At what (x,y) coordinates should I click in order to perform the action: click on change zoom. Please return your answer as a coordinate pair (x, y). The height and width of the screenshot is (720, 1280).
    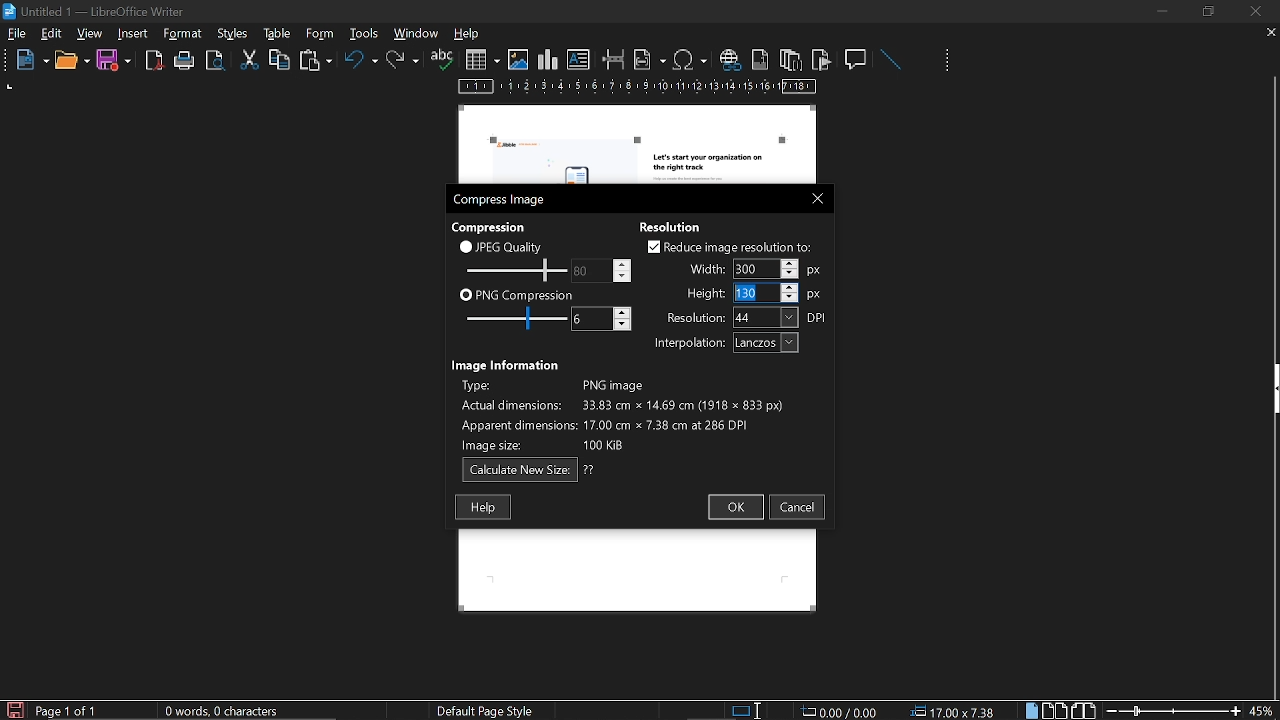
    Looking at the image, I should click on (1173, 710).